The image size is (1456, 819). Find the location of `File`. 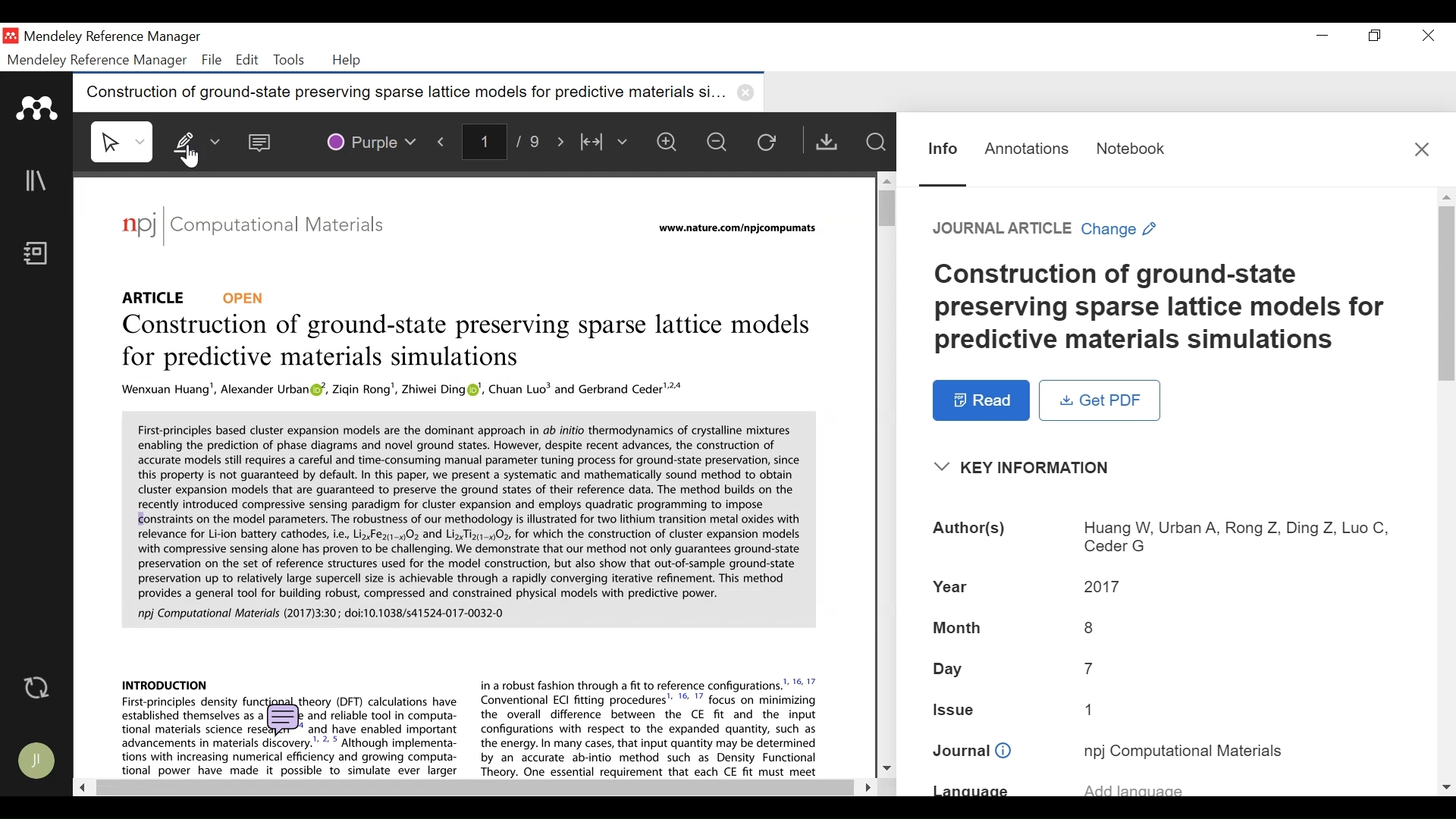

File is located at coordinates (212, 60).